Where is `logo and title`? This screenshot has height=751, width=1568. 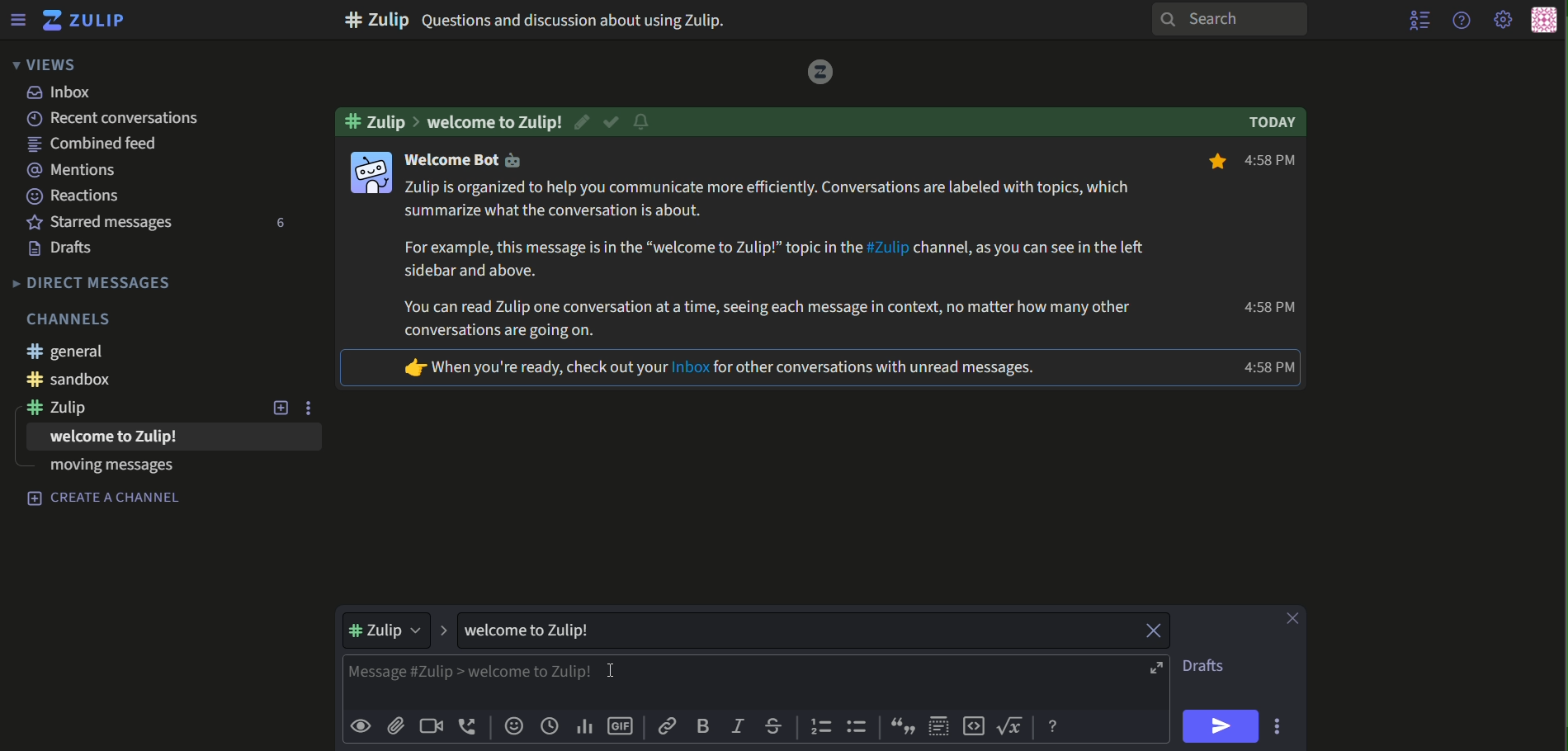
logo and title is located at coordinates (84, 21).